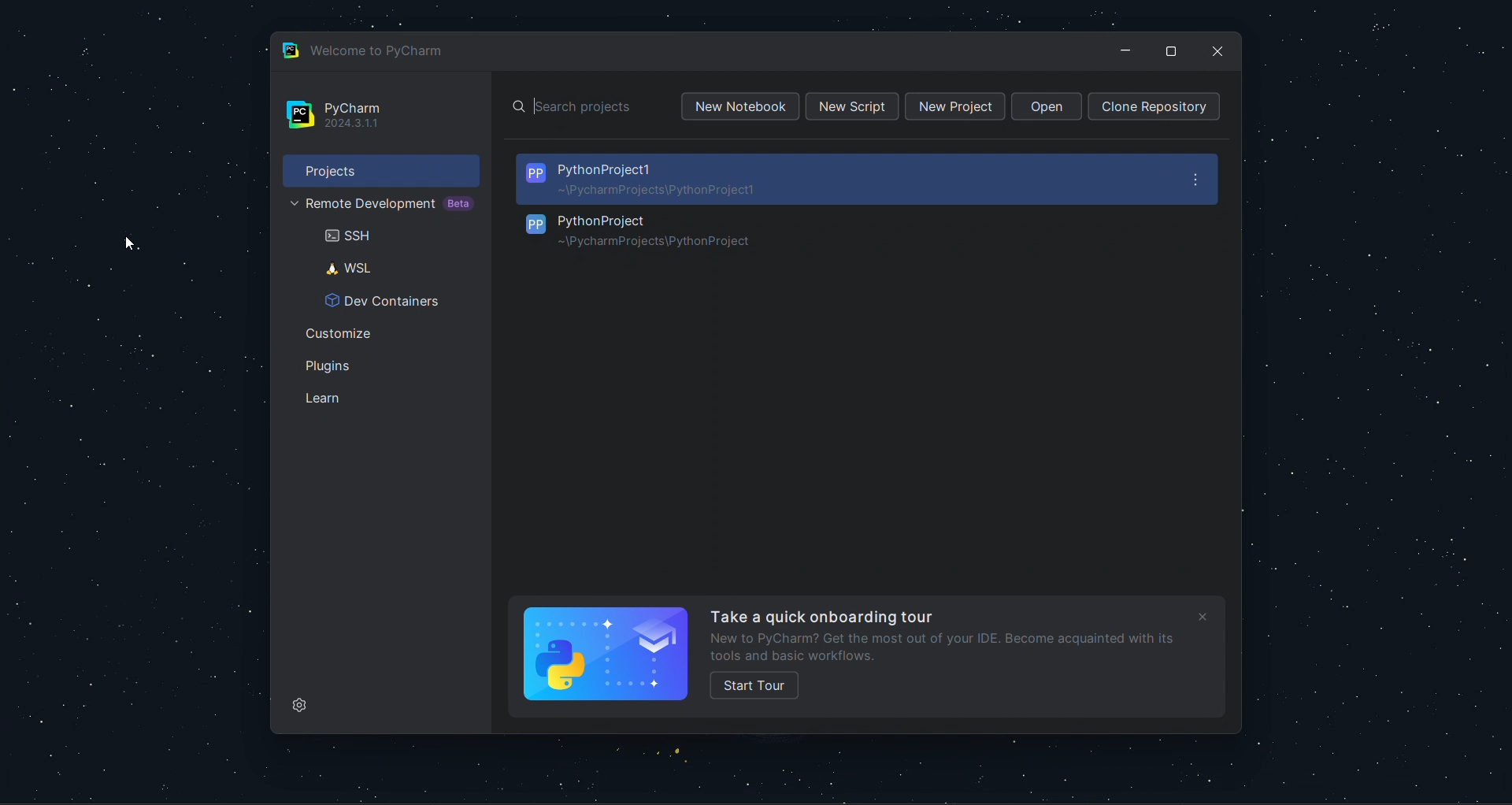 Image resolution: width=1512 pixels, height=805 pixels. Describe the element at coordinates (658, 243) in the screenshot. I see `Project Path` at that location.